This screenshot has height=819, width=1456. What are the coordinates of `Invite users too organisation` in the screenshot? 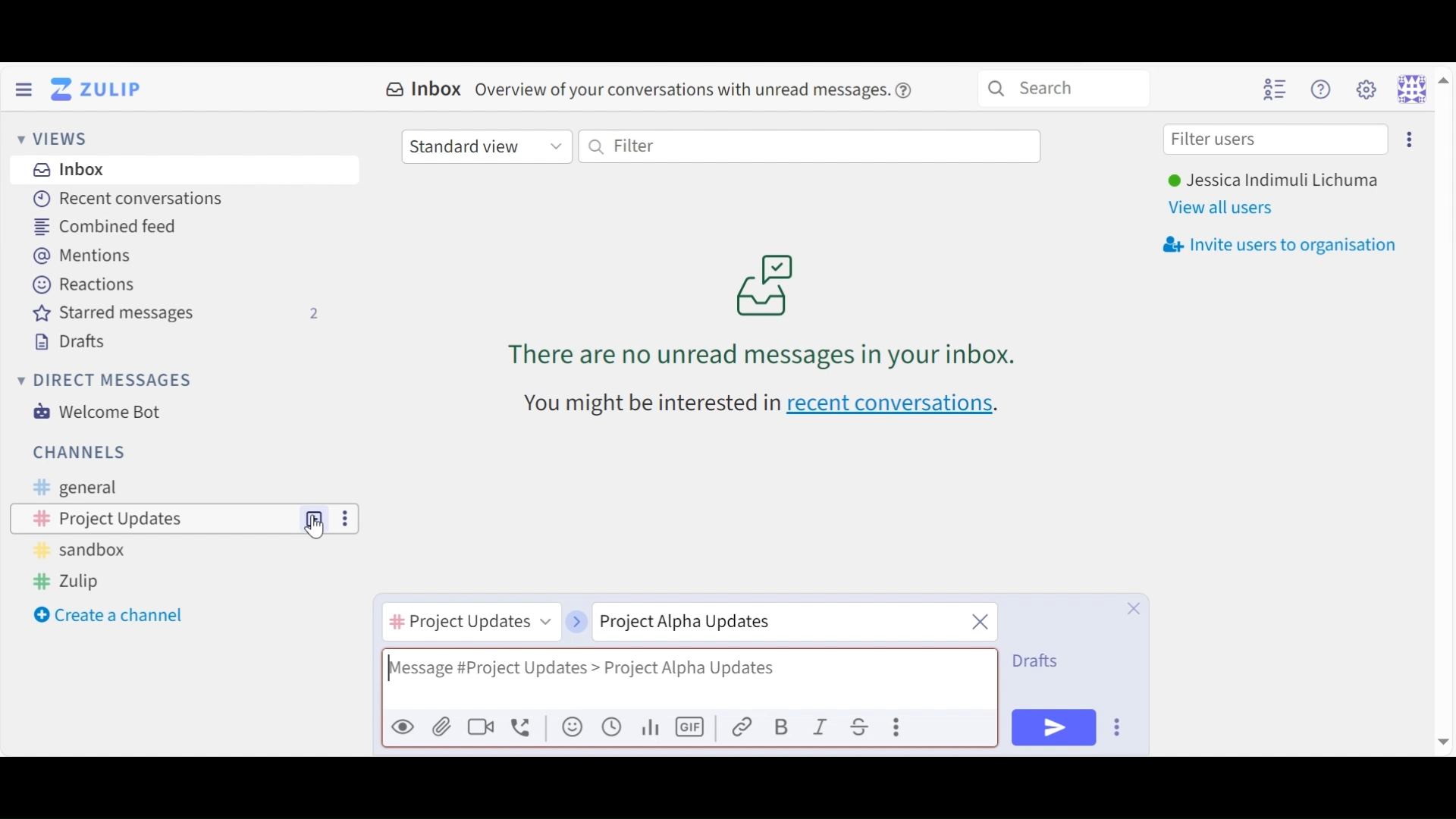 It's located at (1408, 138).